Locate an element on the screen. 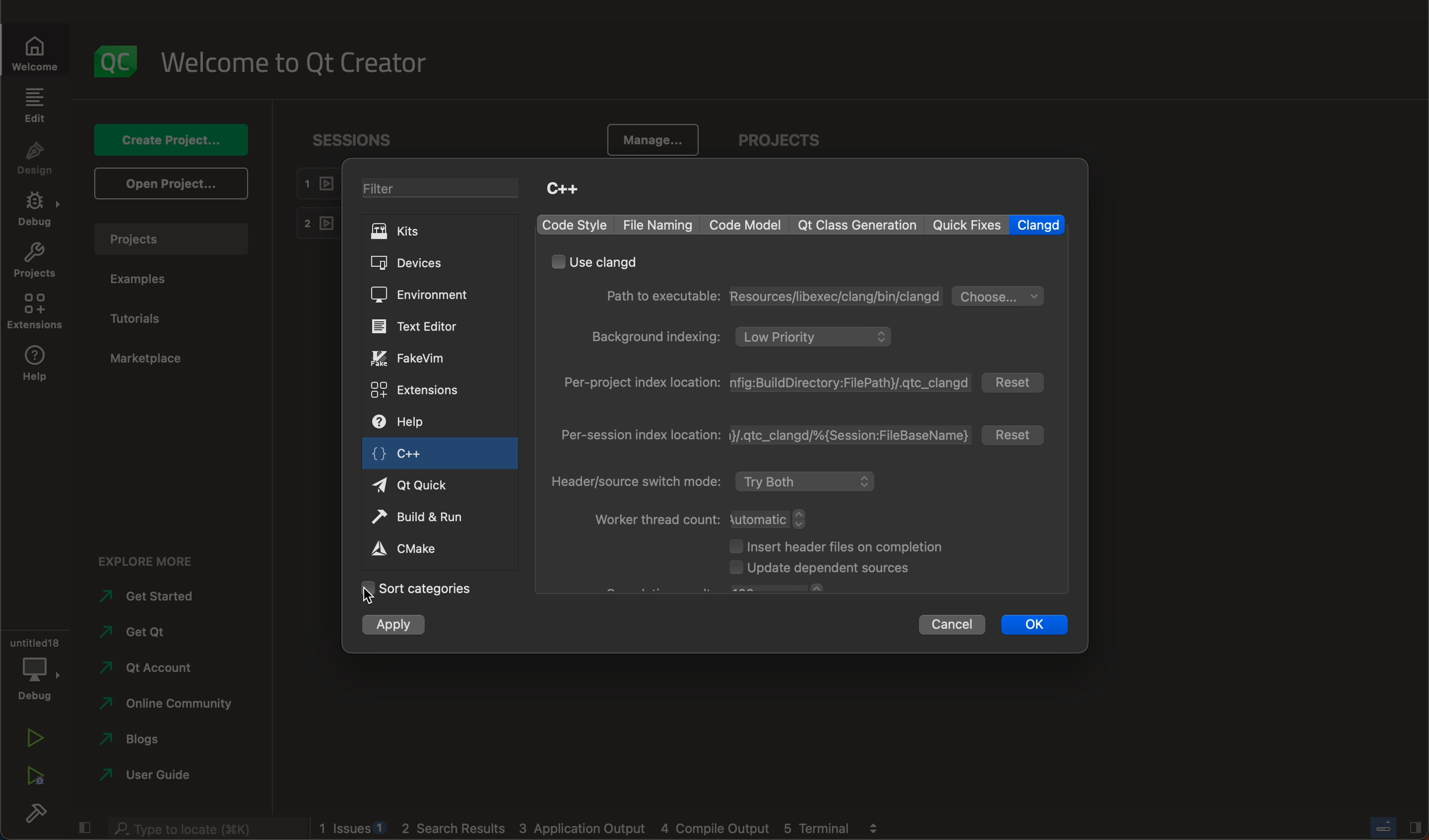 The width and height of the screenshot is (1429, 840). code is located at coordinates (745, 224).